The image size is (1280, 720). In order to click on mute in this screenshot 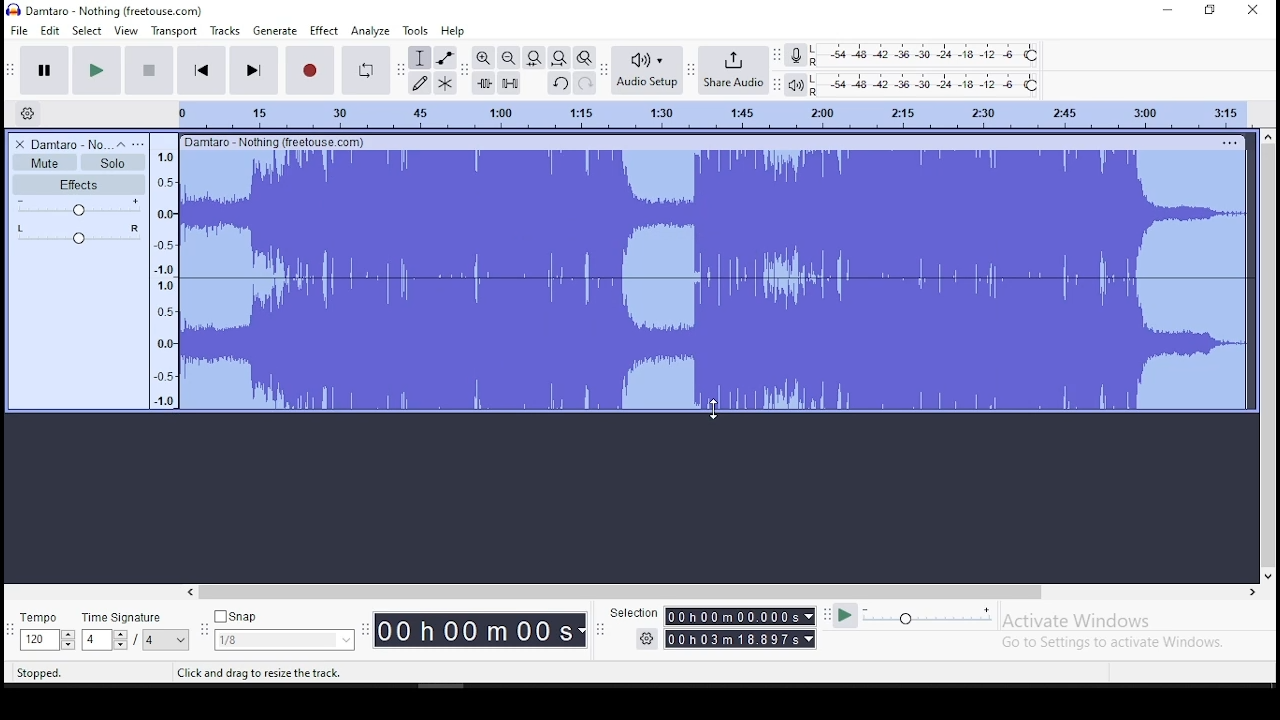, I will do `click(45, 162)`.